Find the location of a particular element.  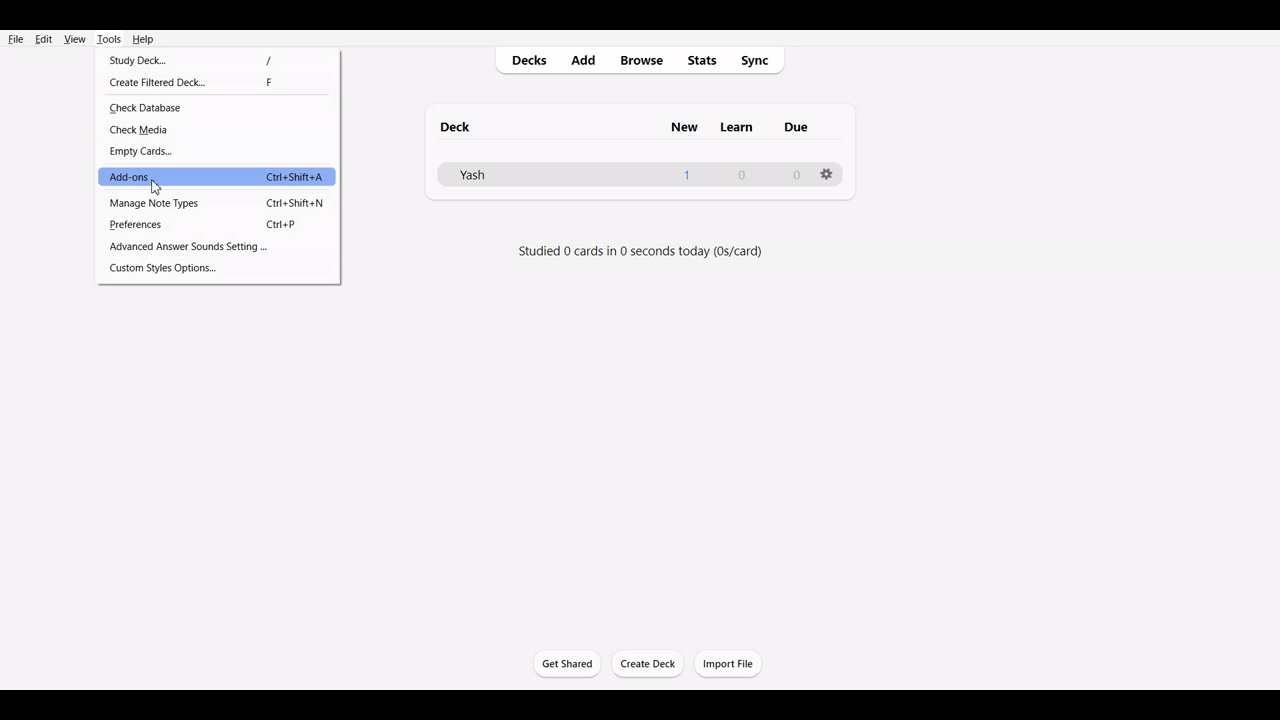

Preferences is located at coordinates (218, 223).